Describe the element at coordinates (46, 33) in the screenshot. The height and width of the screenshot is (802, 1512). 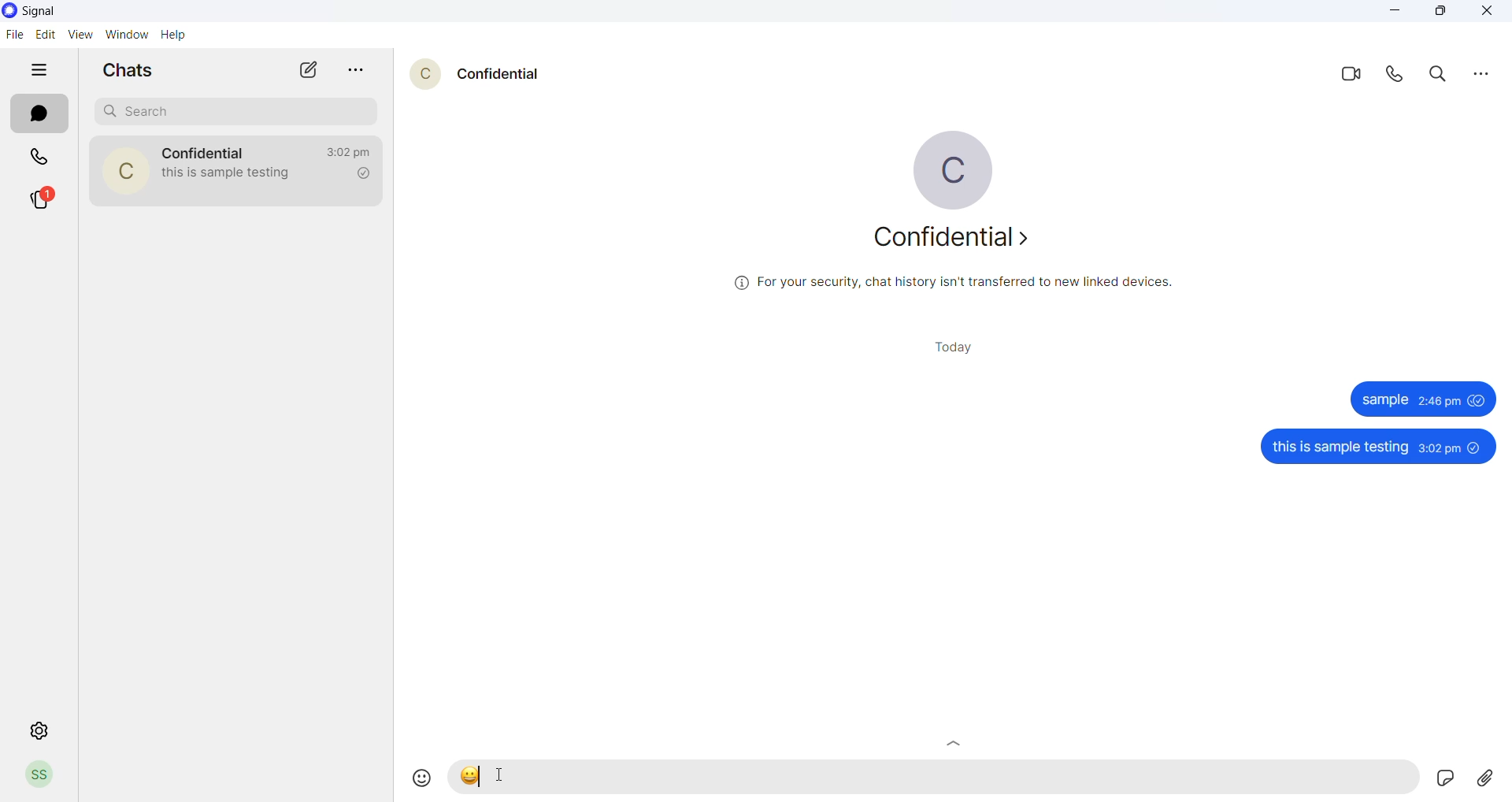
I see `edit` at that location.